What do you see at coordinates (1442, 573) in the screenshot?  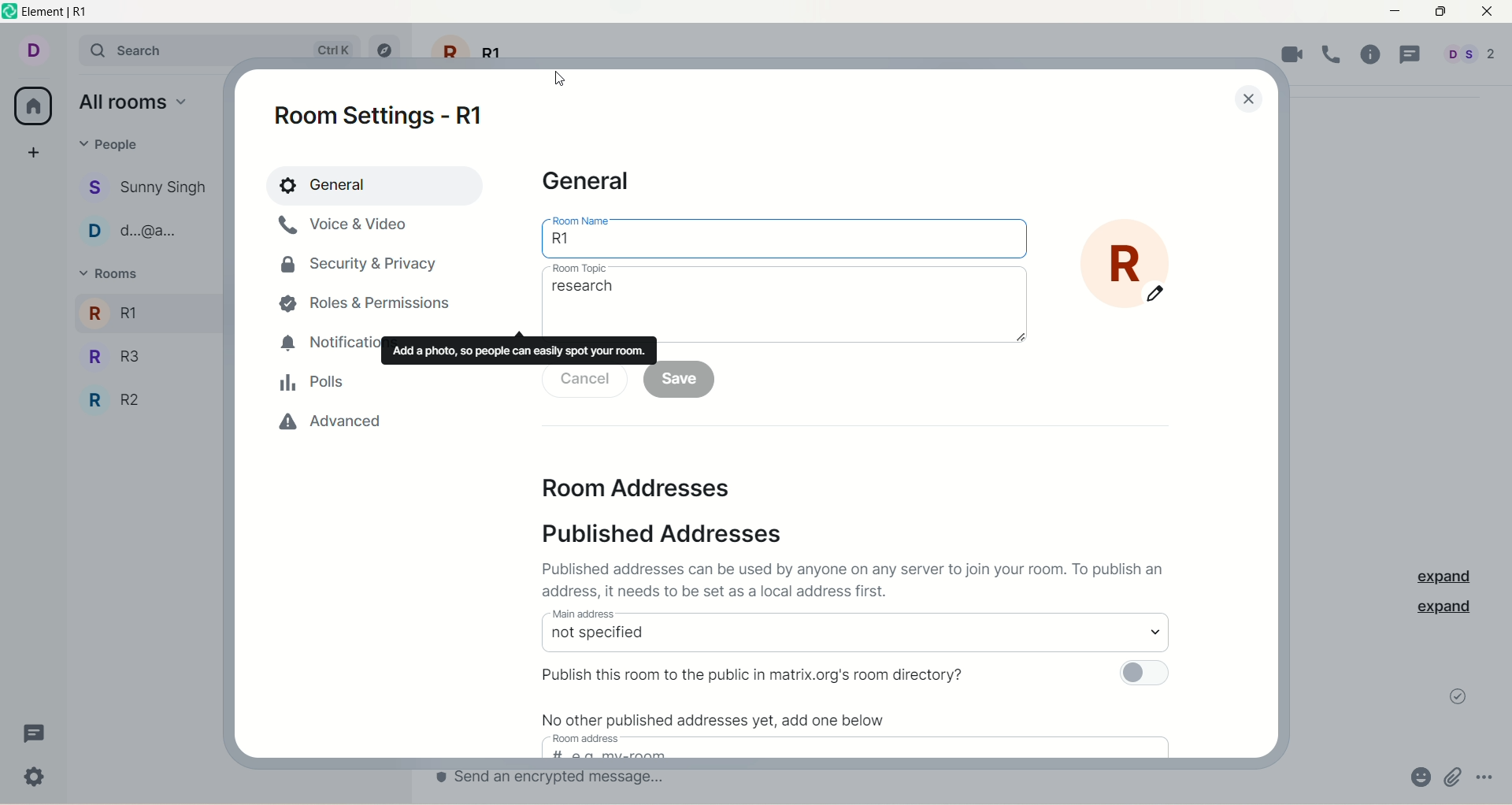 I see `expand` at bounding box center [1442, 573].